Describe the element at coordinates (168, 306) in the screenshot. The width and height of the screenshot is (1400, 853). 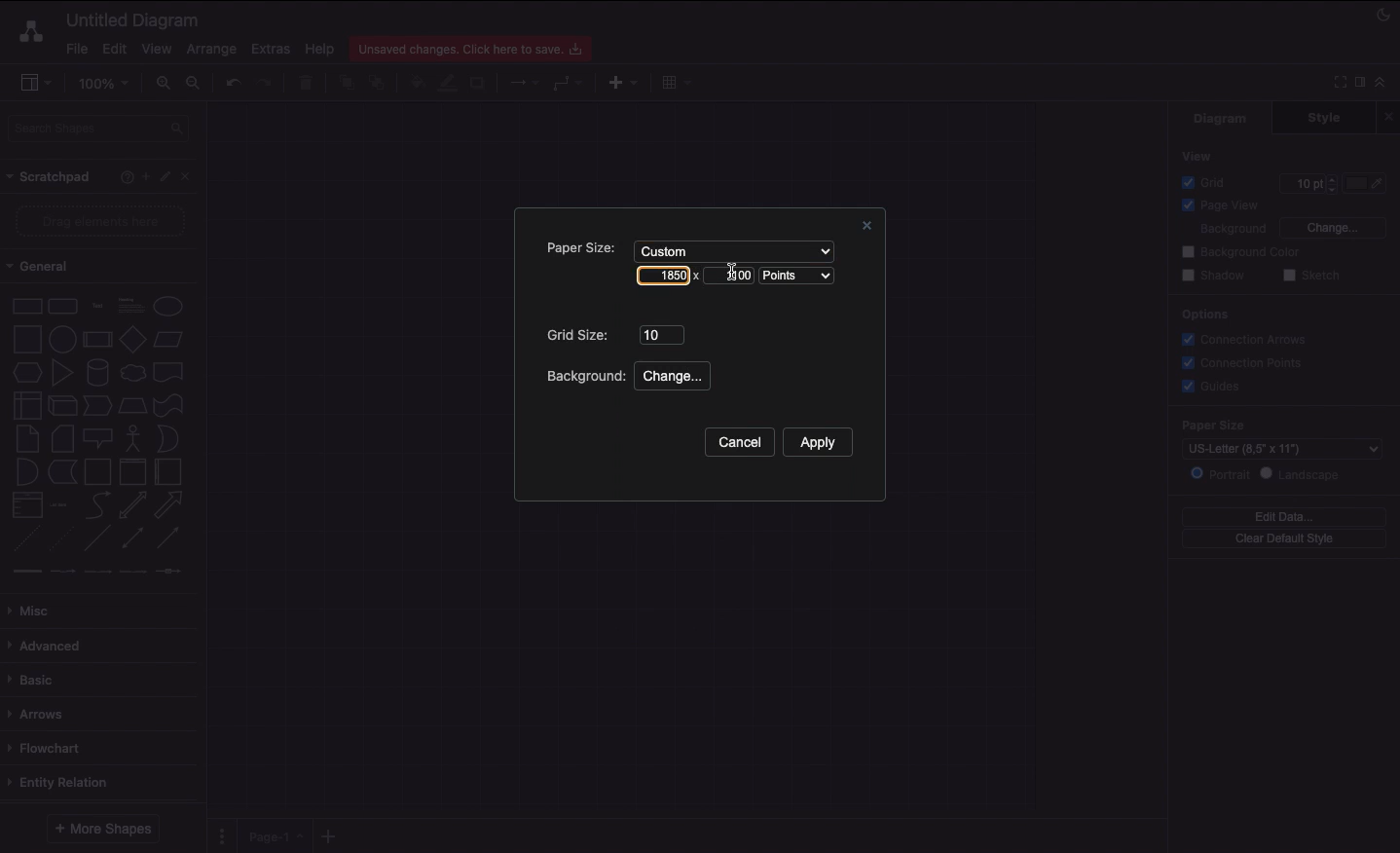
I see `Circle` at that location.